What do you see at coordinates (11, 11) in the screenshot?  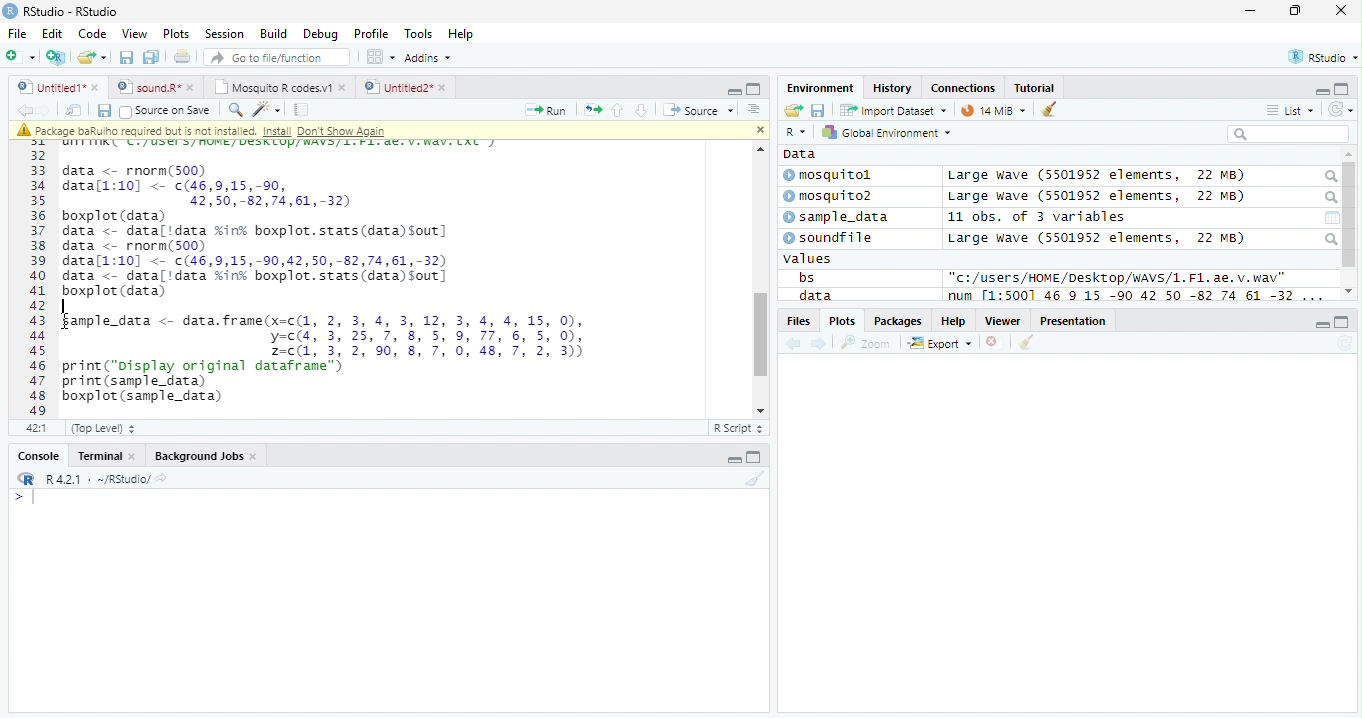 I see `Logo` at bounding box center [11, 11].